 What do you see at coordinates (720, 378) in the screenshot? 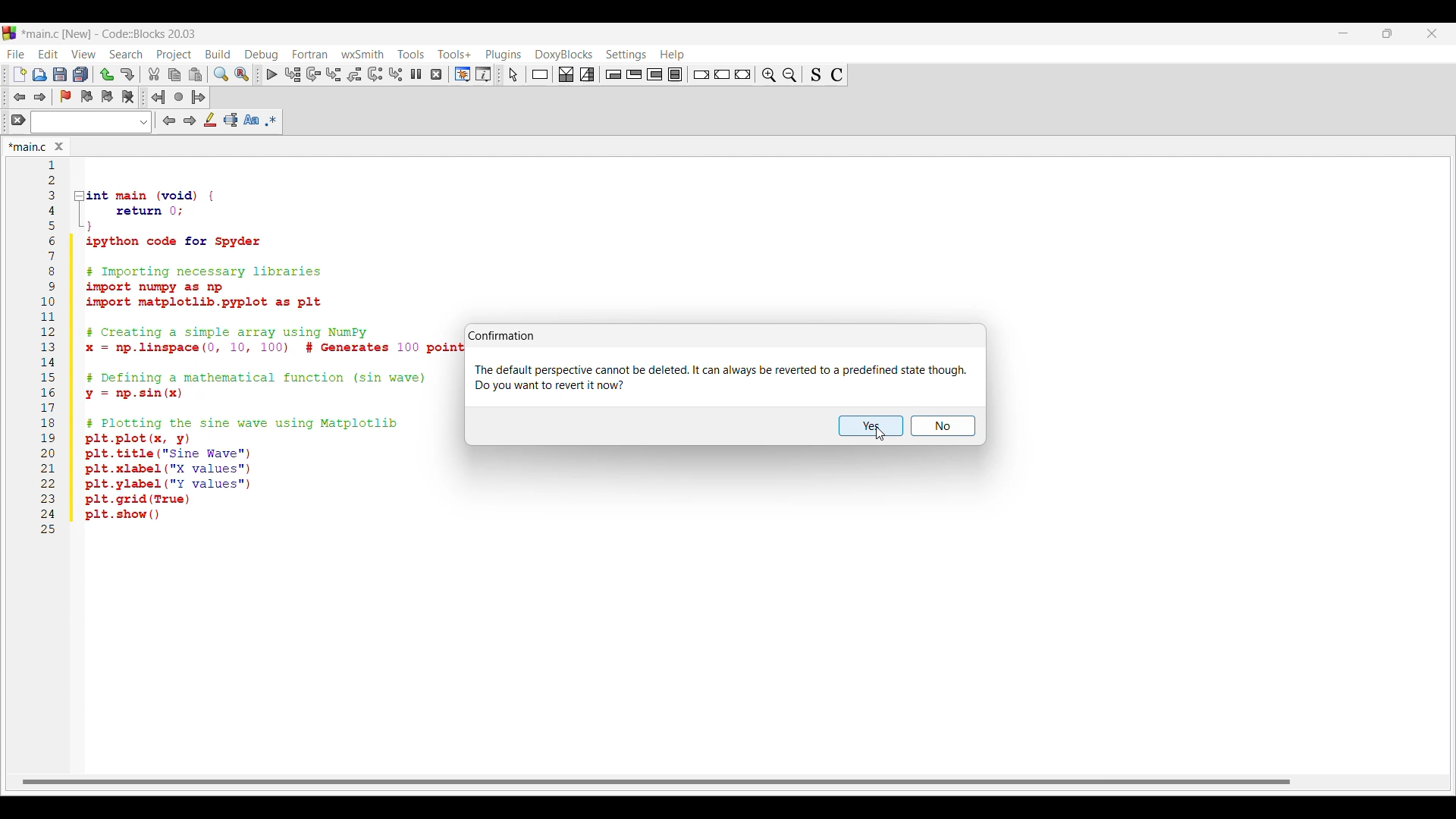
I see `Window description` at bounding box center [720, 378].